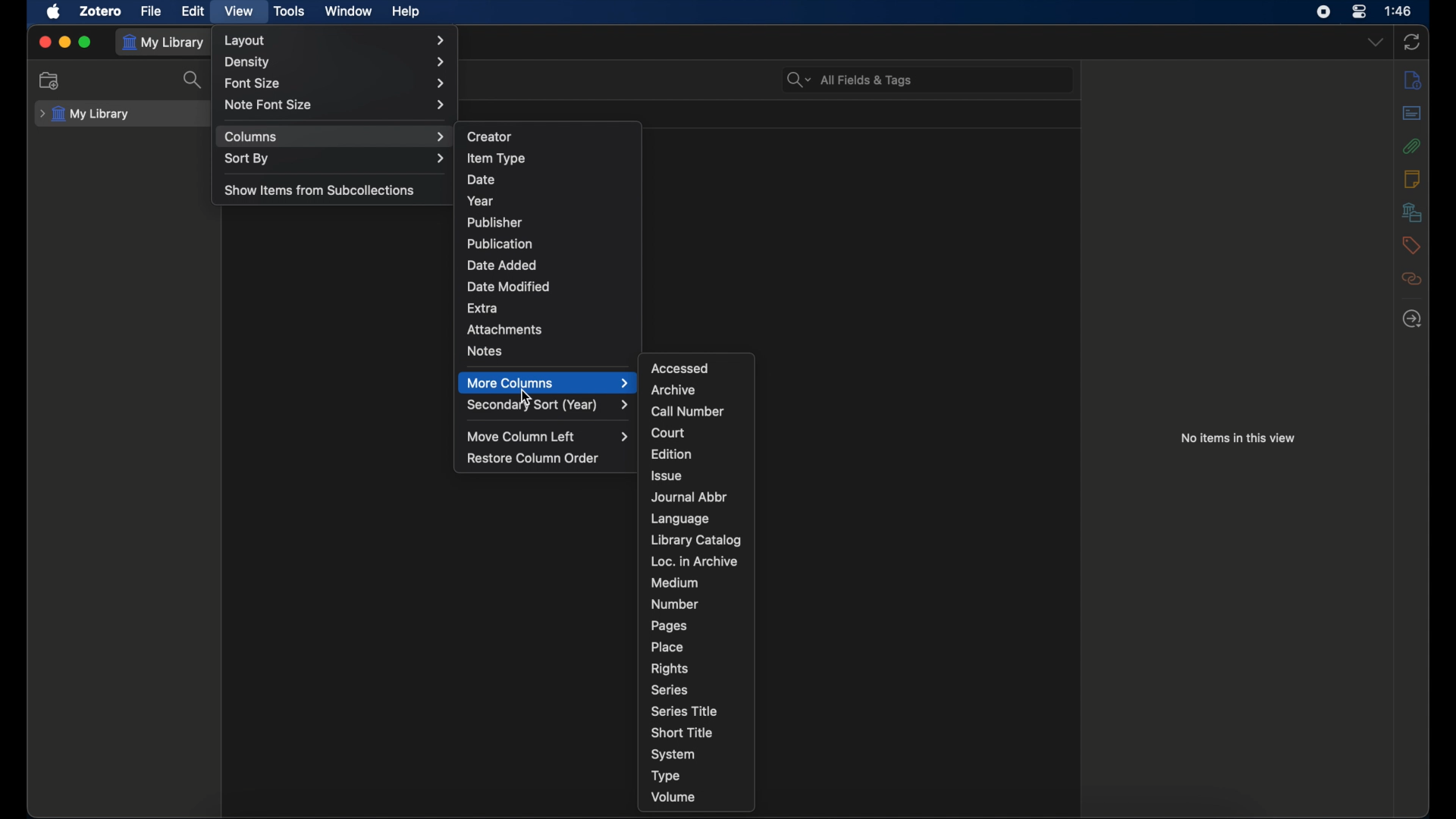 This screenshot has height=819, width=1456. Describe the element at coordinates (673, 390) in the screenshot. I see `archive` at that location.